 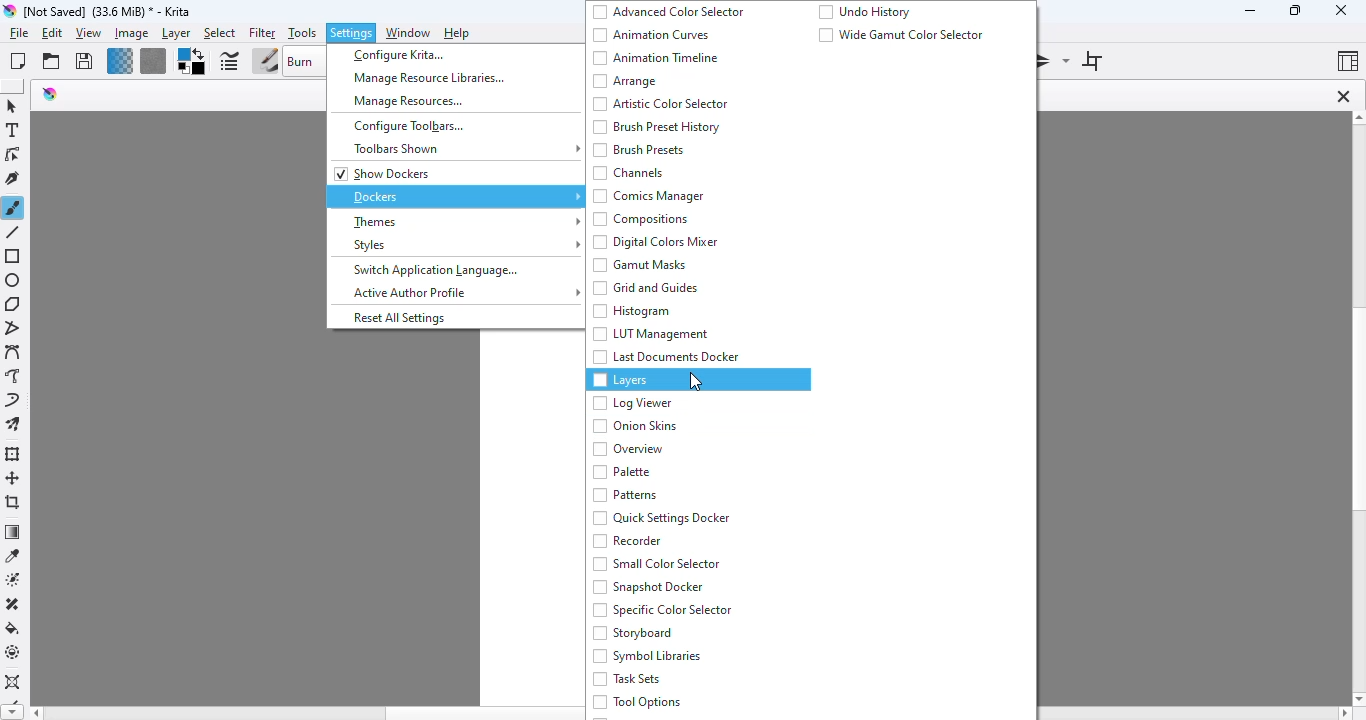 I want to click on dynamic brush tool, so click(x=12, y=401).